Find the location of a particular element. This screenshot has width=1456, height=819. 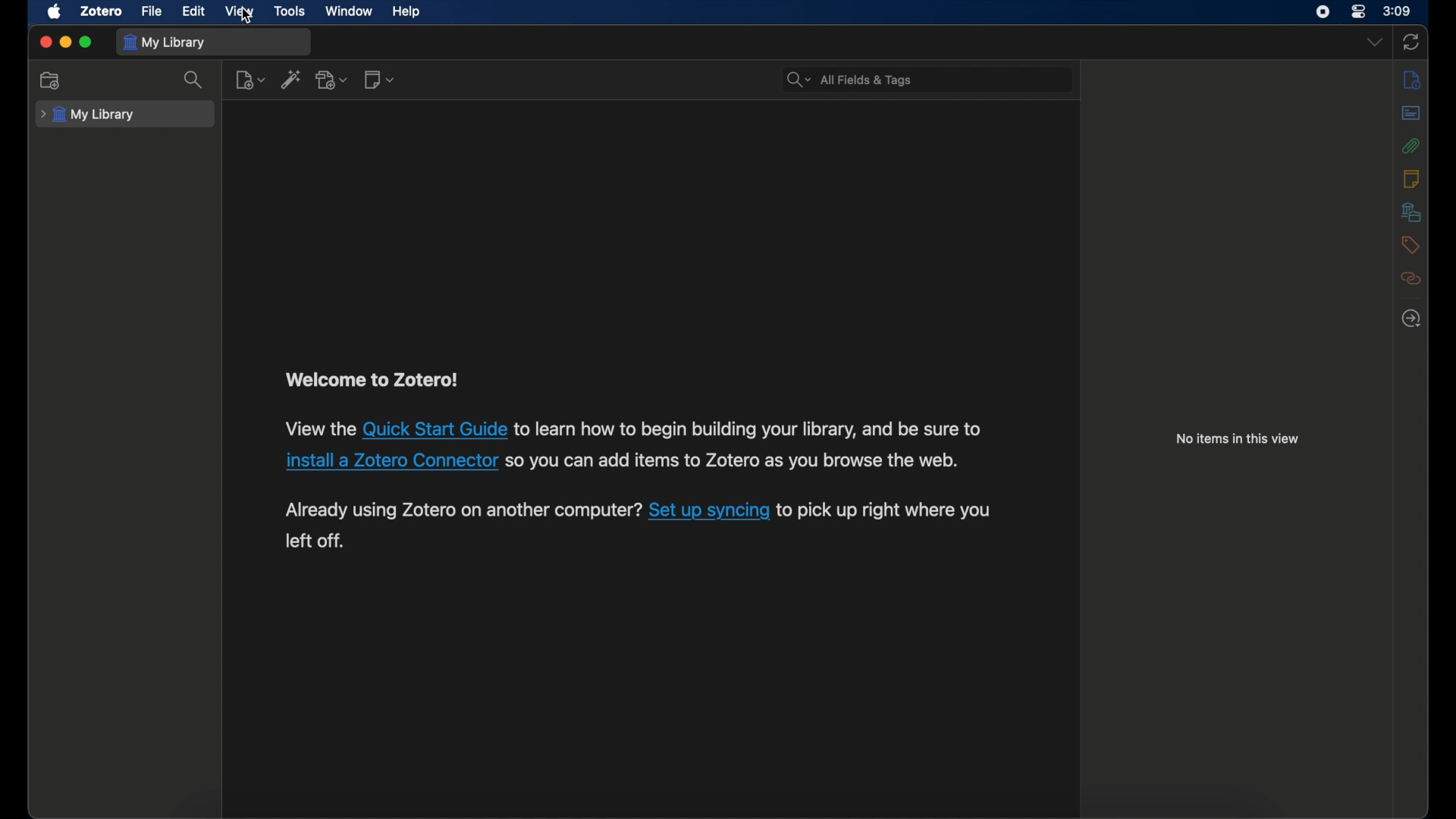

my library is located at coordinates (88, 115).